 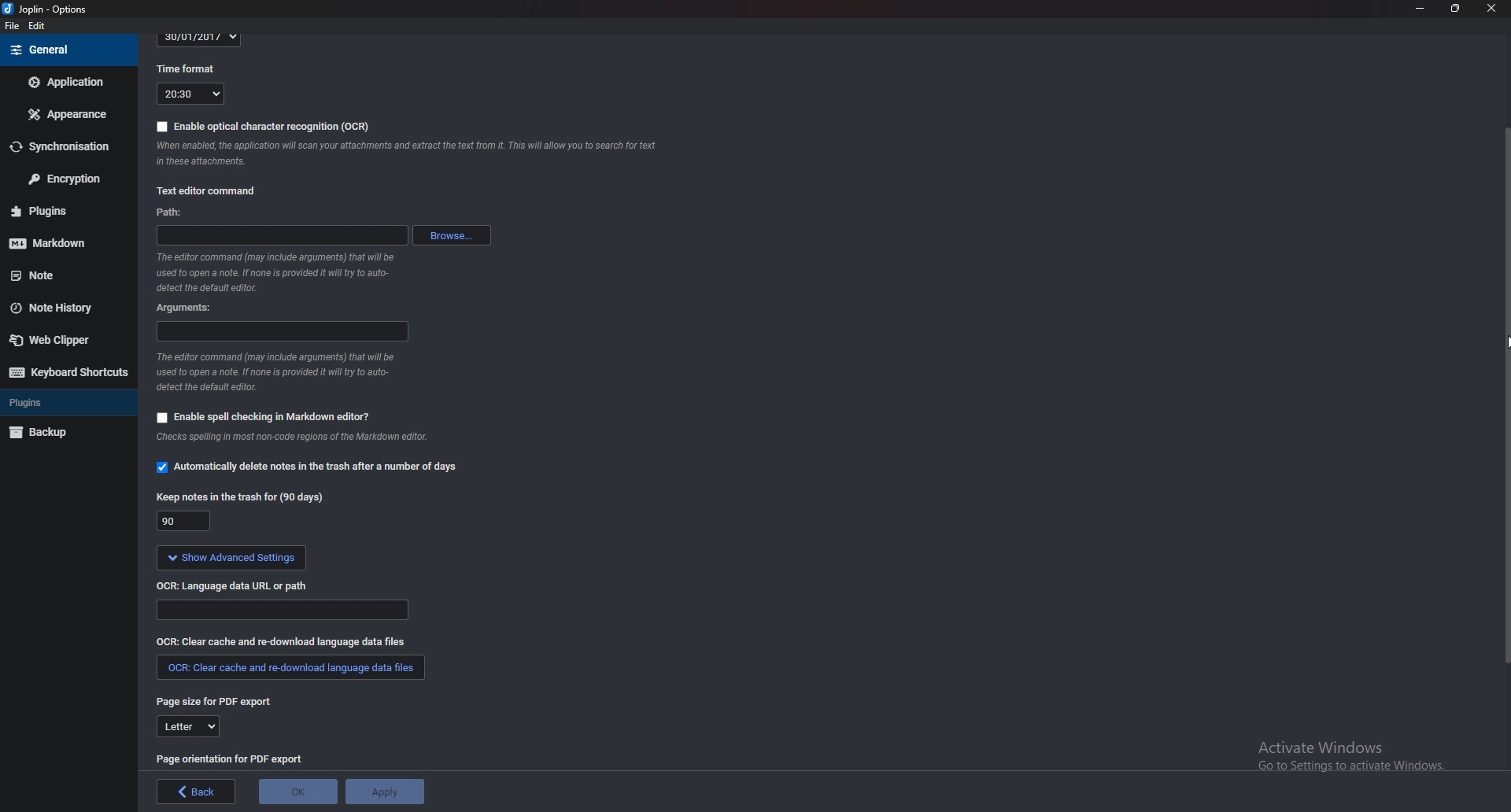 What do you see at coordinates (413, 155) in the screenshot?
I see `Info` at bounding box center [413, 155].